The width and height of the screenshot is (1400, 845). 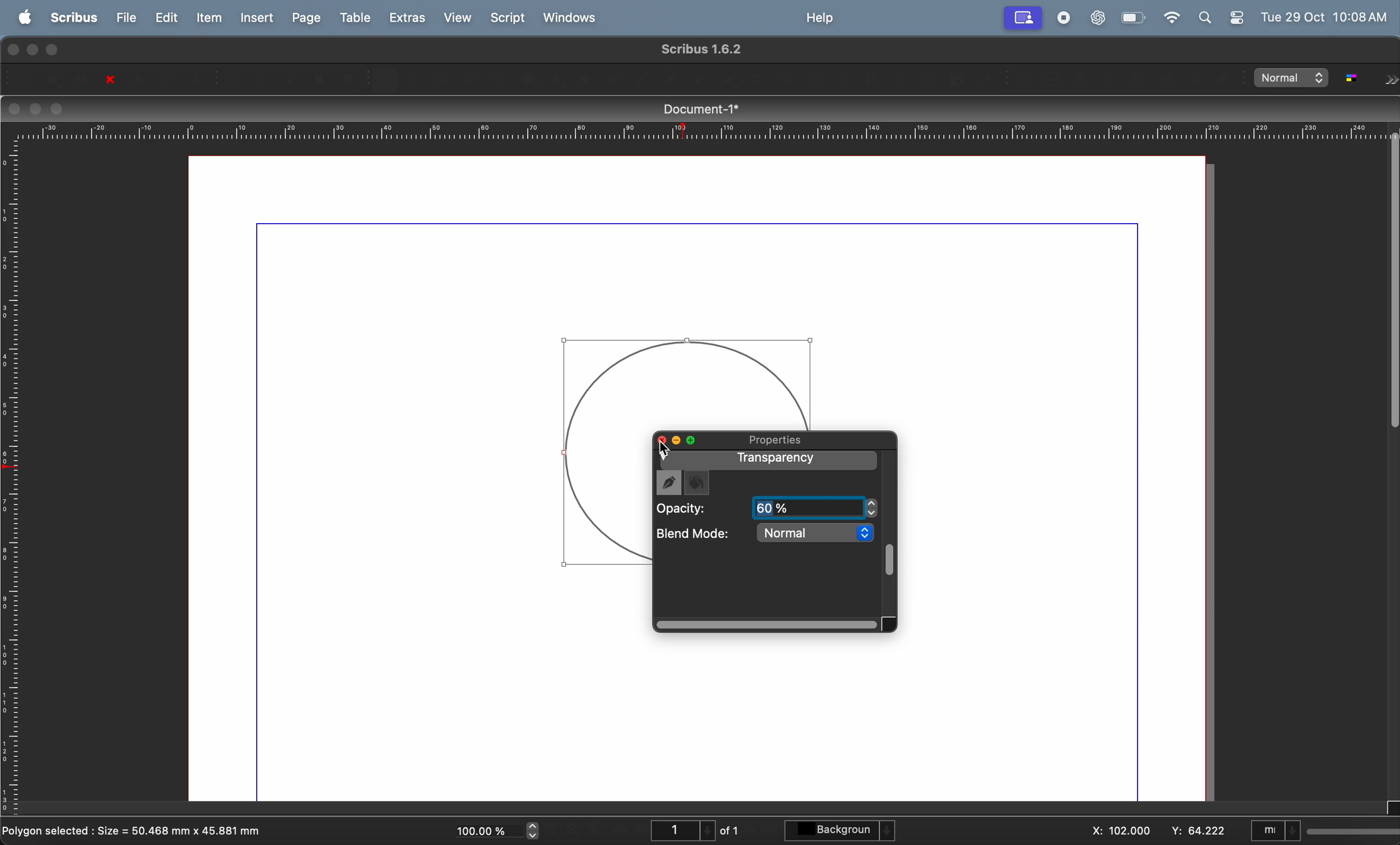 What do you see at coordinates (1022, 19) in the screenshot?
I see `account` at bounding box center [1022, 19].